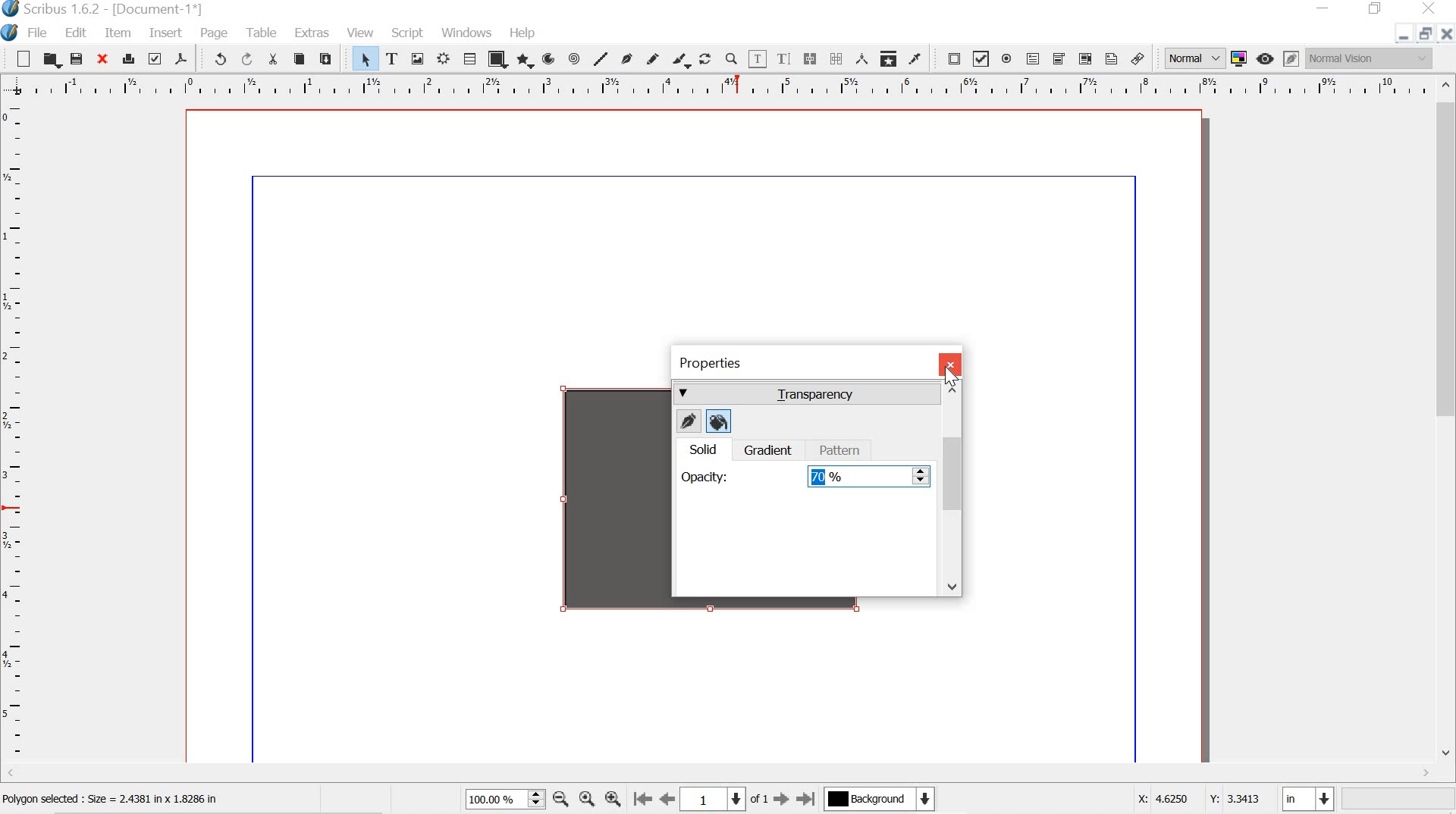 This screenshot has width=1456, height=814. What do you see at coordinates (210, 31) in the screenshot?
I see `page` at bounding box center [210, 31].